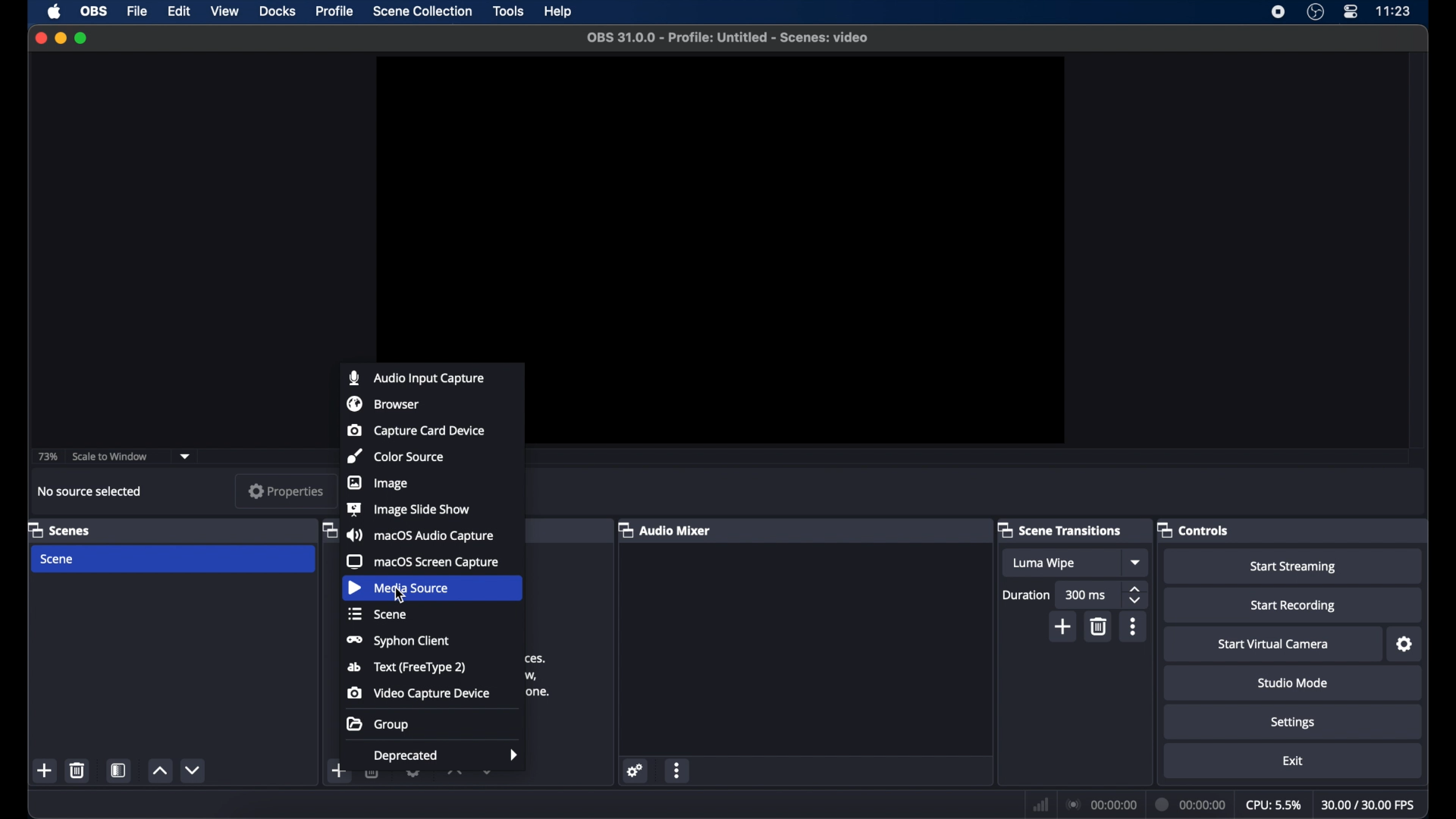  Describe the element at coordinates (277, 11) in the screenshot. I see `docks` at that location.